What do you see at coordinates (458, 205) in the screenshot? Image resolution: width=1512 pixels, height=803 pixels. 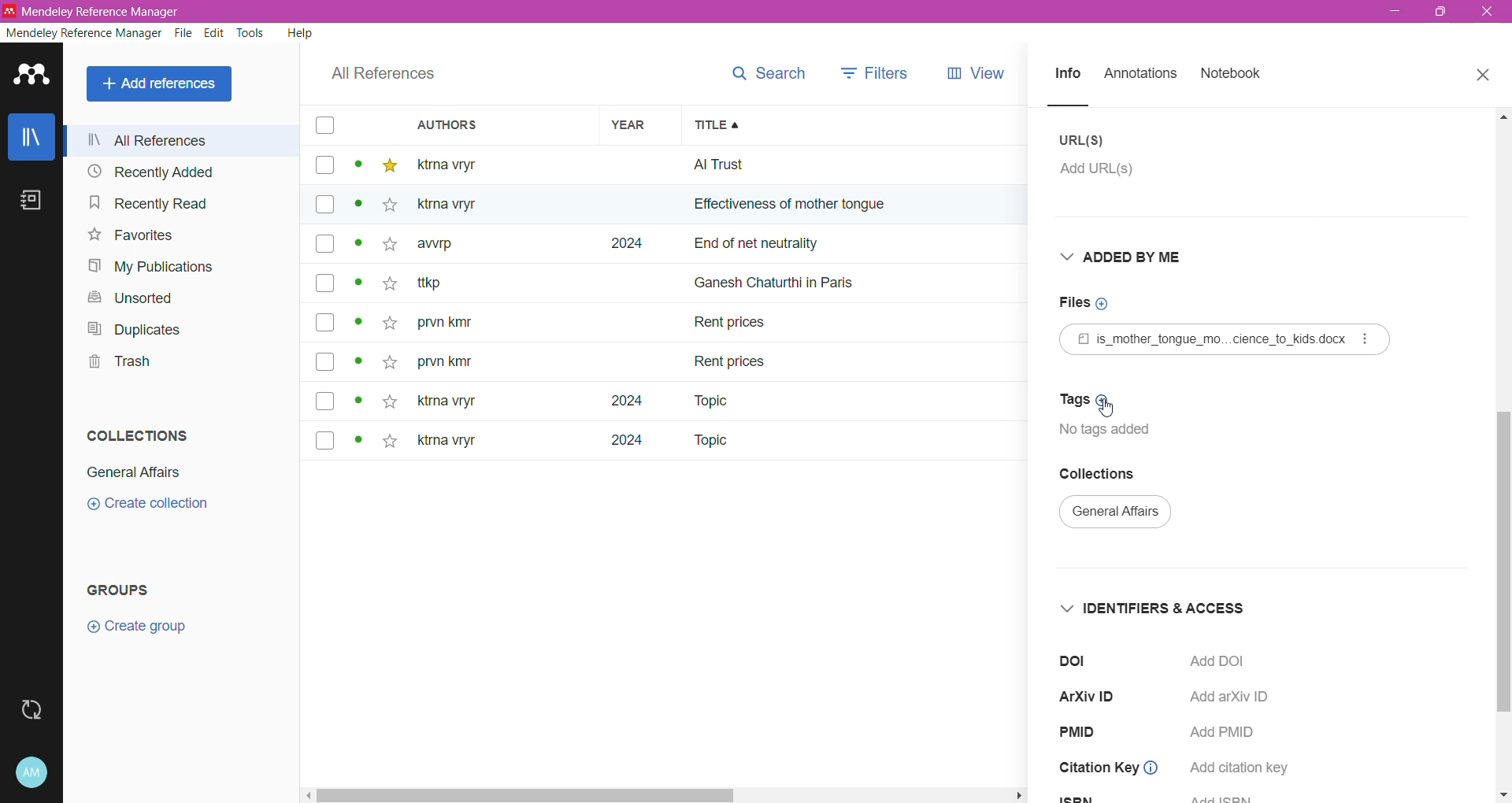 I see `` at bounding box center [458, 205].